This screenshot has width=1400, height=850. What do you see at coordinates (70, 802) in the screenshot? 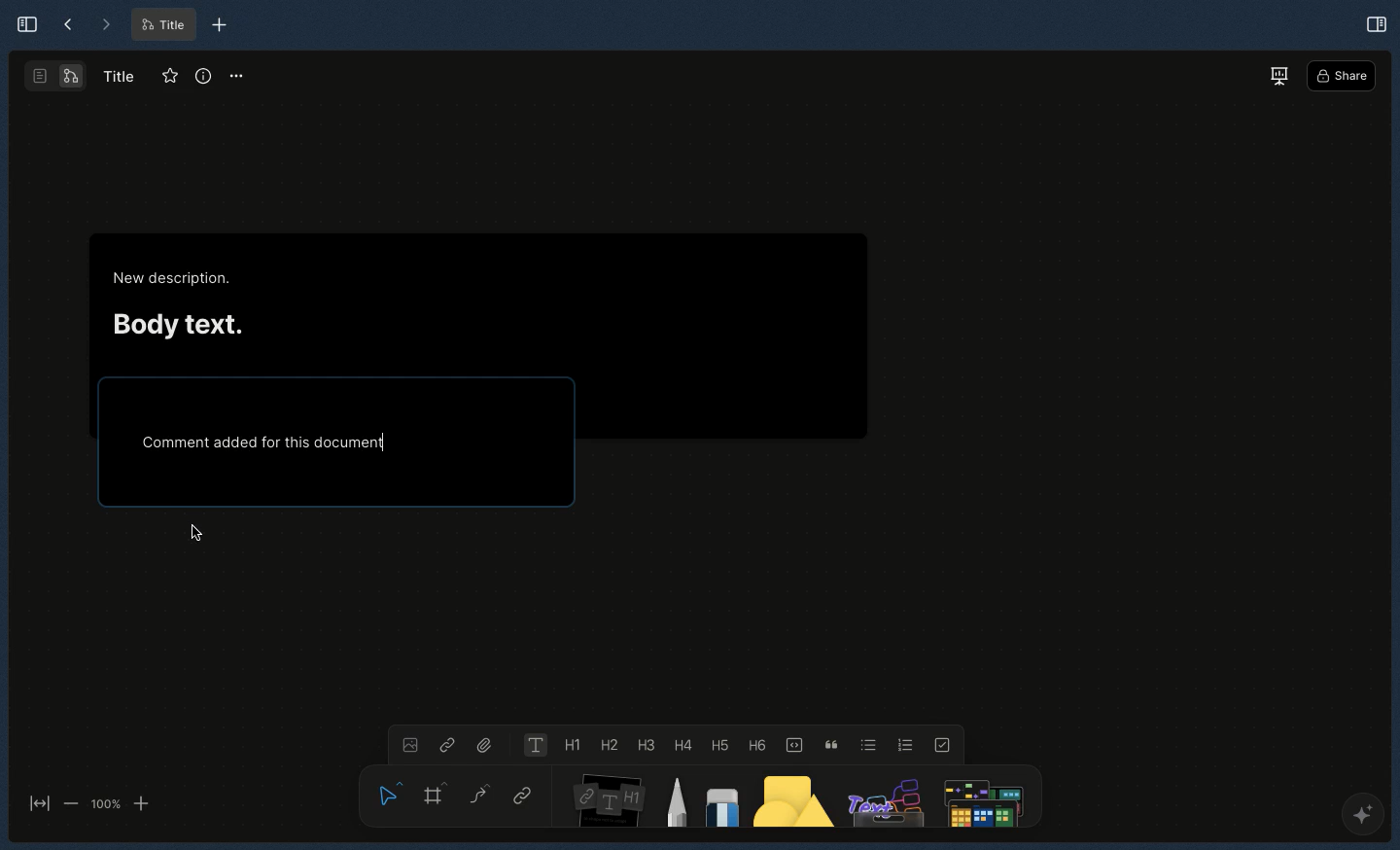
I see `zoom out` at bounding box center [70, 802].